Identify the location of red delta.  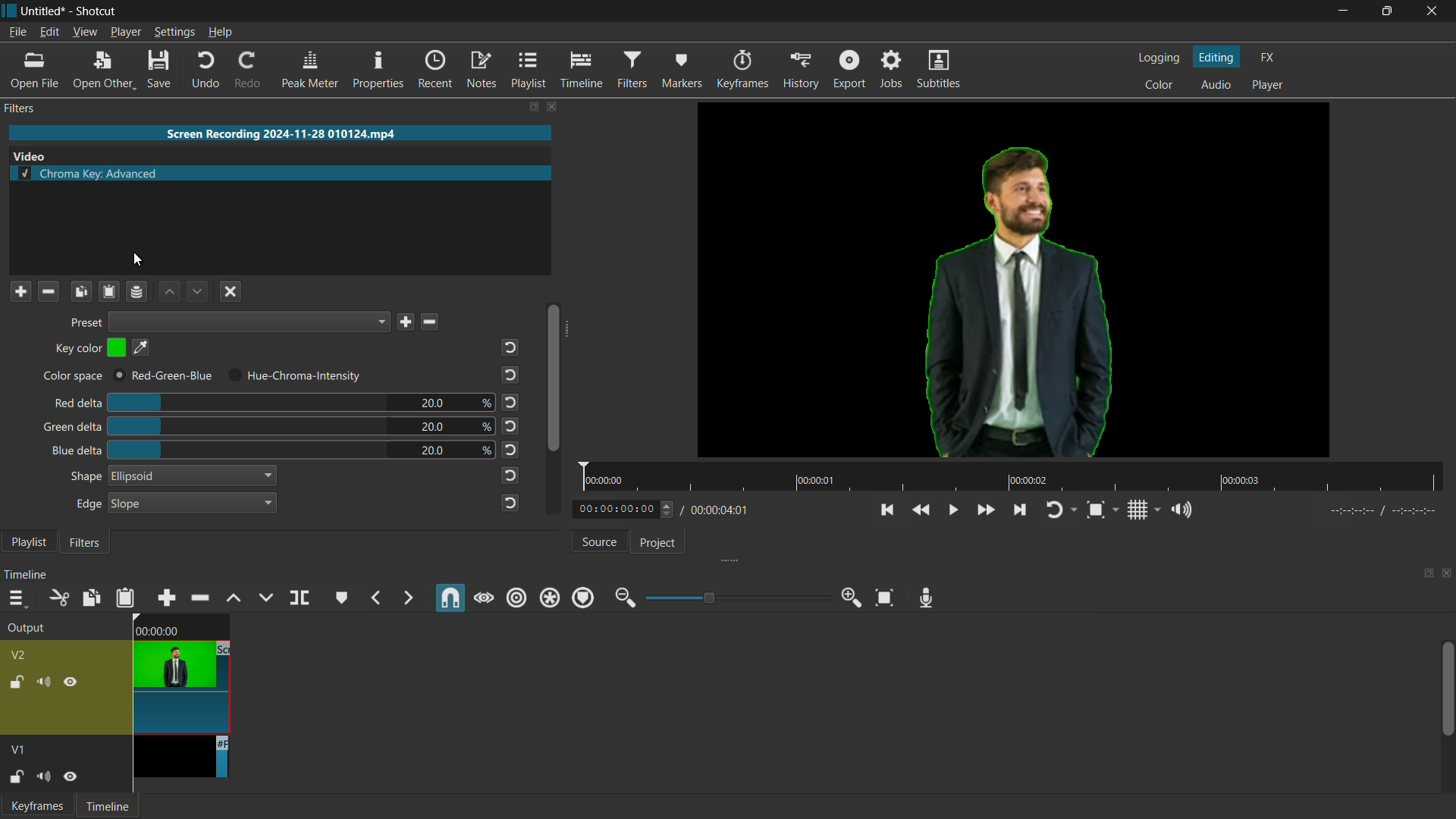
(74, 404).